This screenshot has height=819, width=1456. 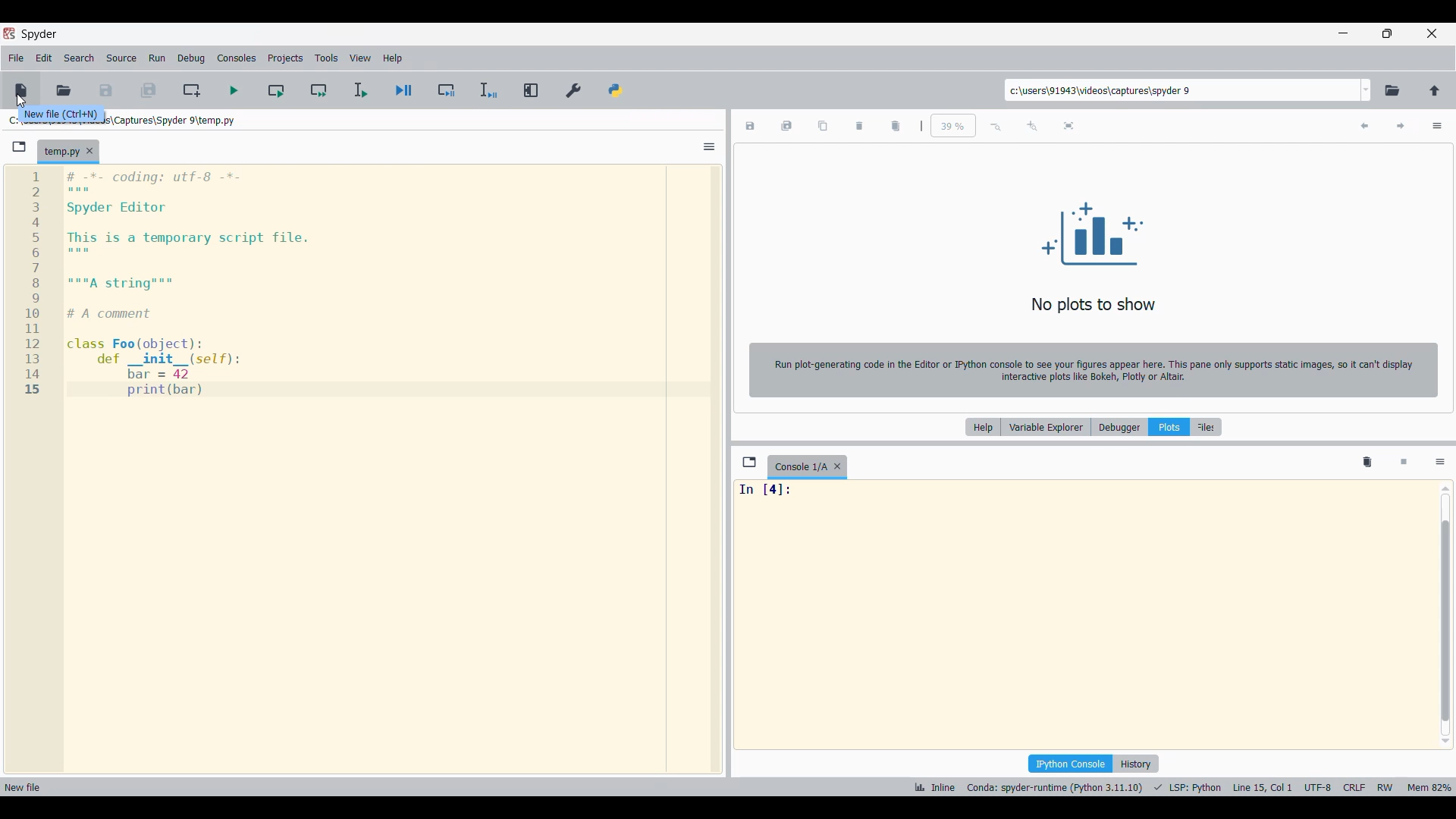 I want to click on Run cell, so click(x=234, y=90).